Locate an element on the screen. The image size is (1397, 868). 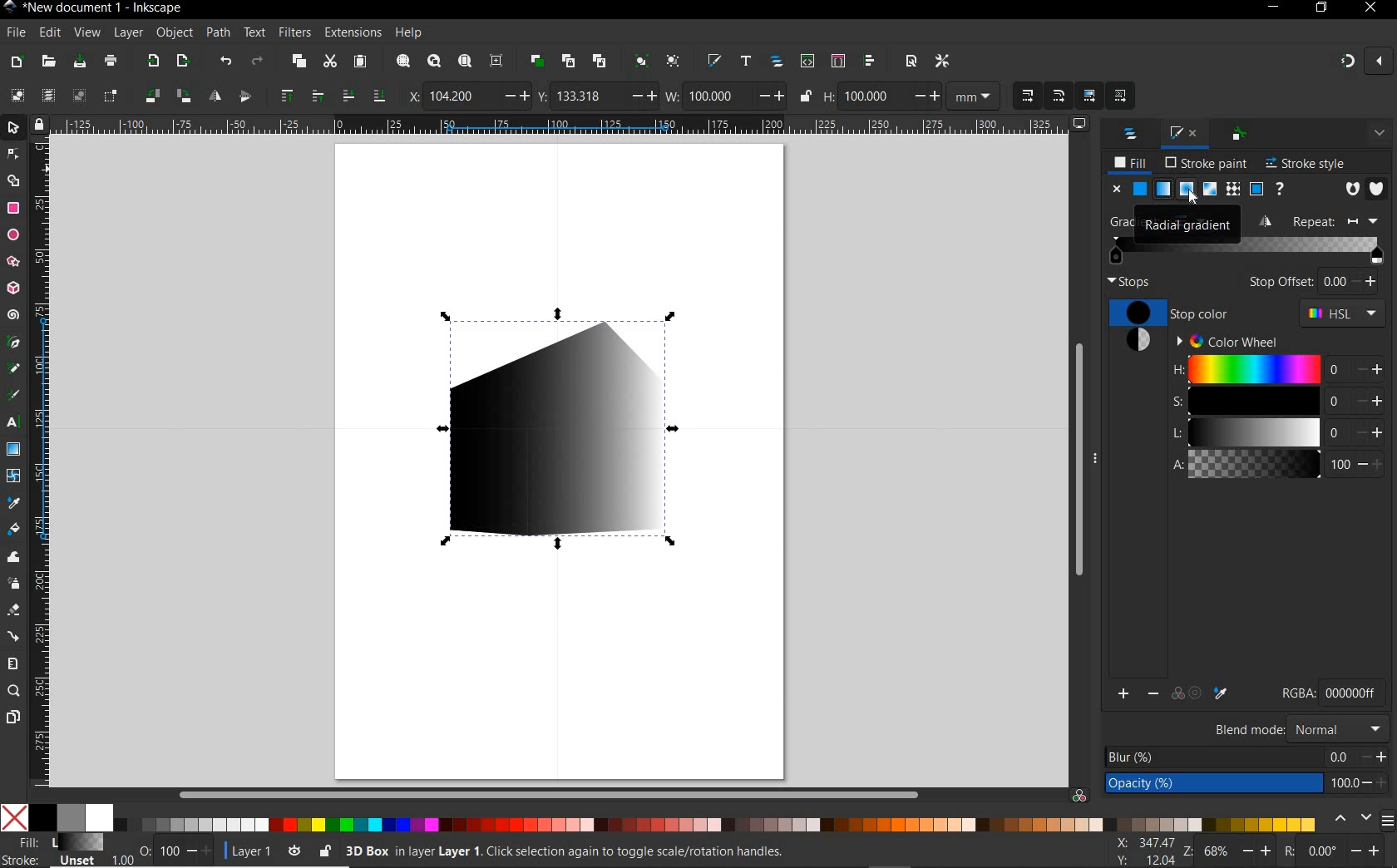
CUT is located at coordinates (331, 62).